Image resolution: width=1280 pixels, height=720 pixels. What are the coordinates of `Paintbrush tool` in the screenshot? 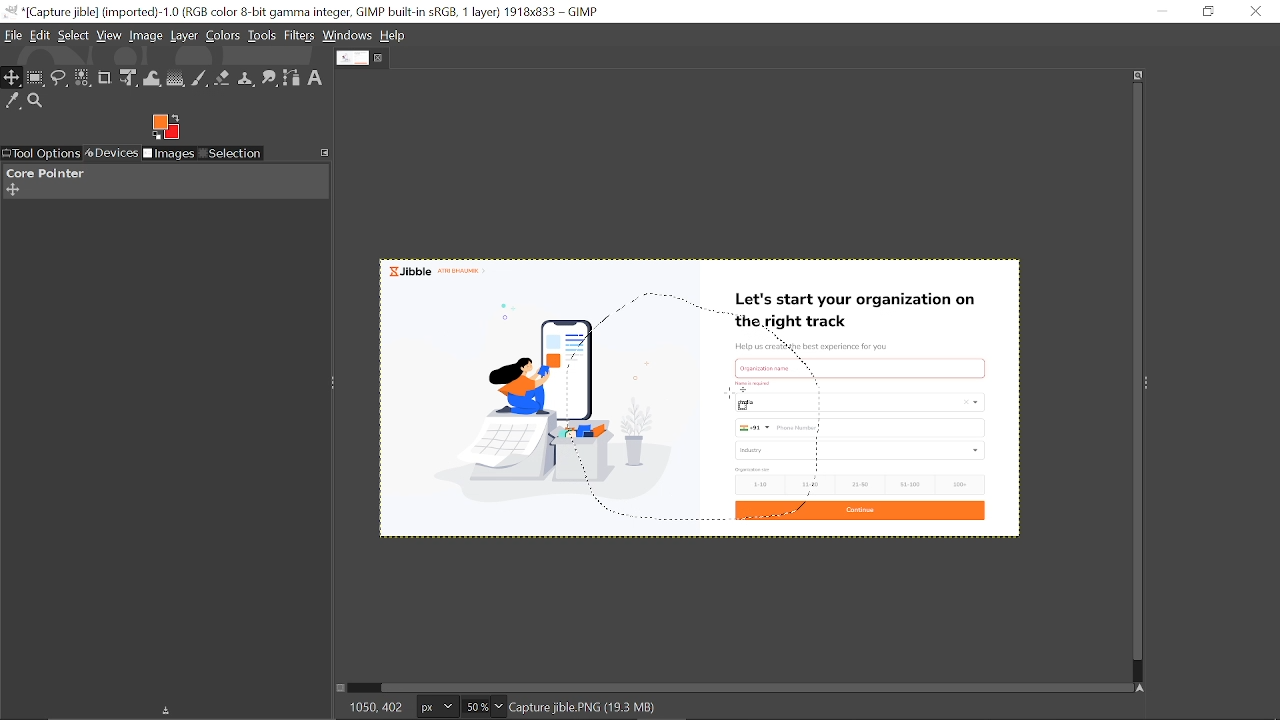 It's located at (200, 80).